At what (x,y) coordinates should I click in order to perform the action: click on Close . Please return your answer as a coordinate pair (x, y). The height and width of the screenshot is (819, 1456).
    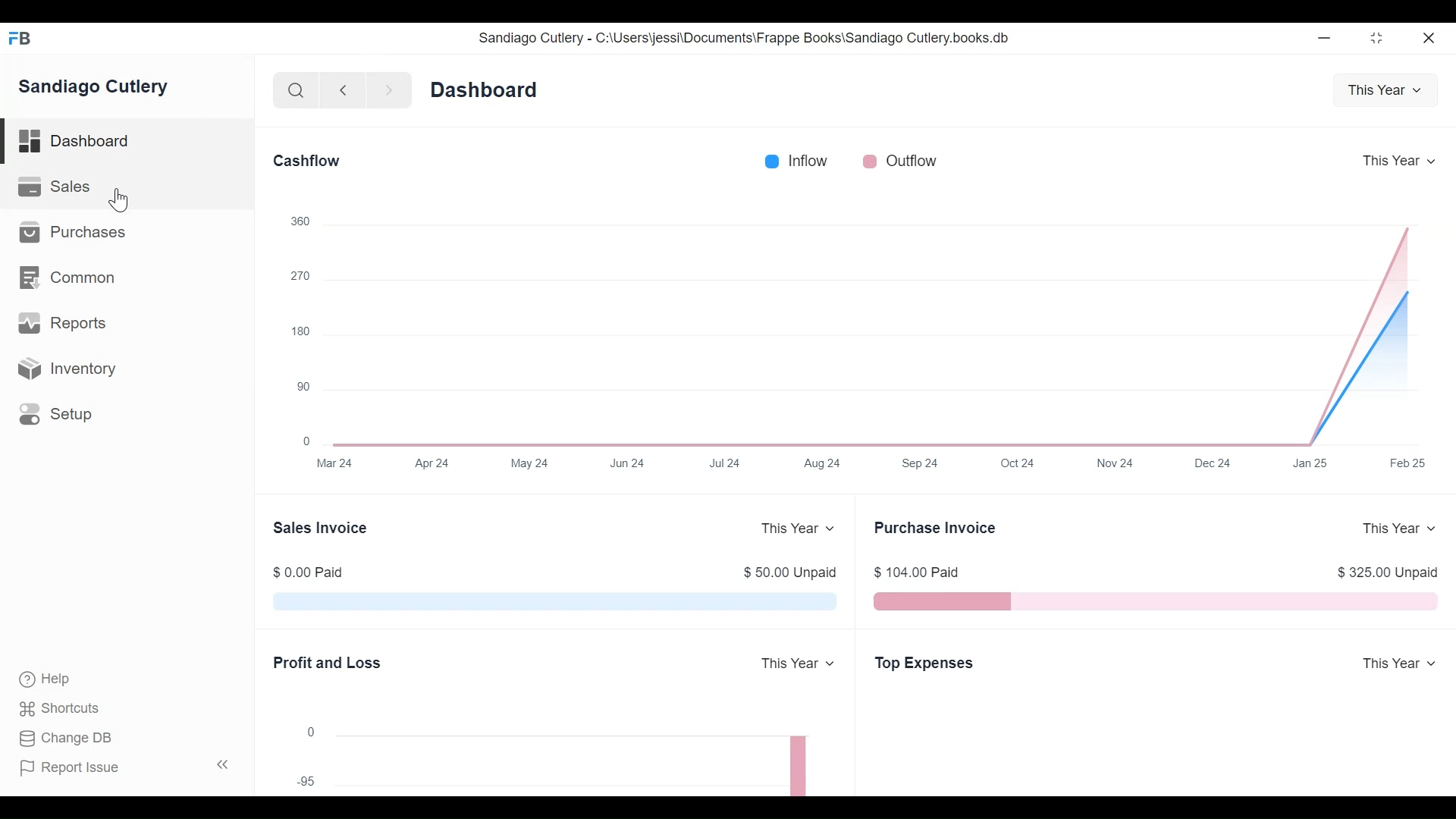
    Looking at the image, I should click on (1430, 38).